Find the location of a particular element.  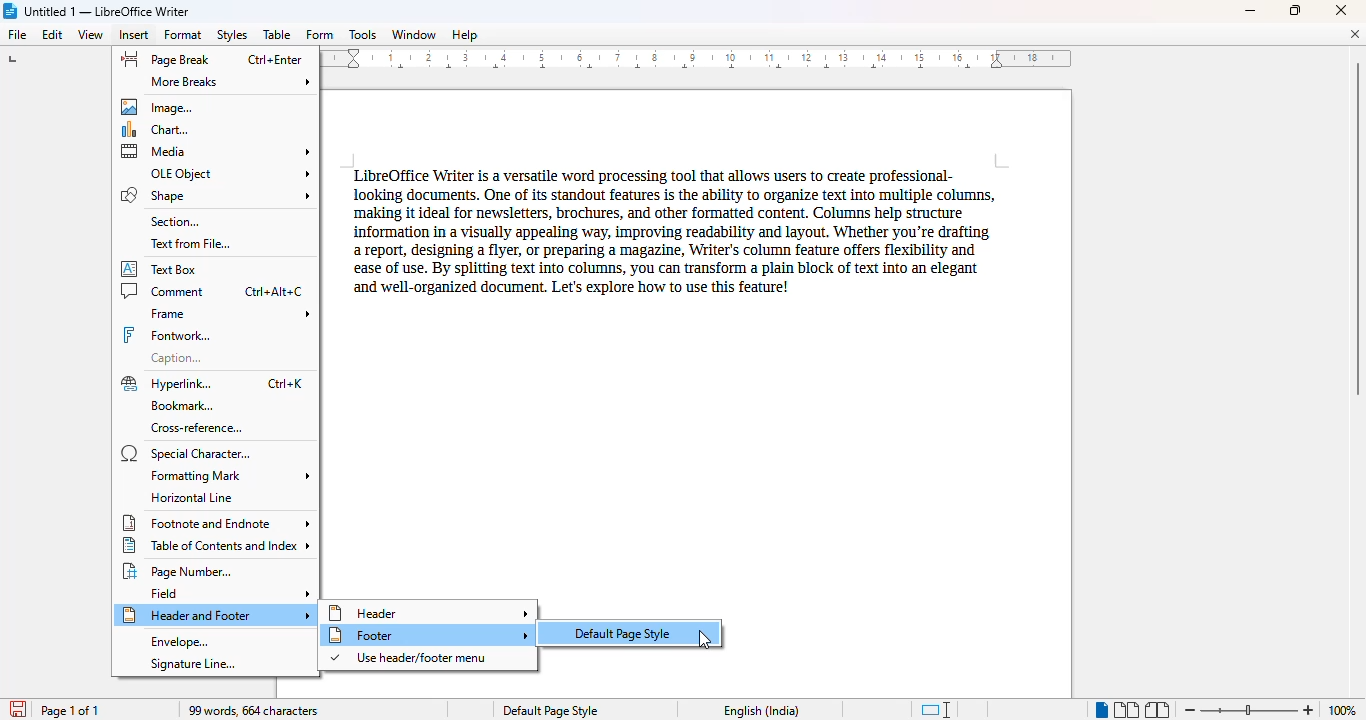

section is located at coordinates (175, 221).